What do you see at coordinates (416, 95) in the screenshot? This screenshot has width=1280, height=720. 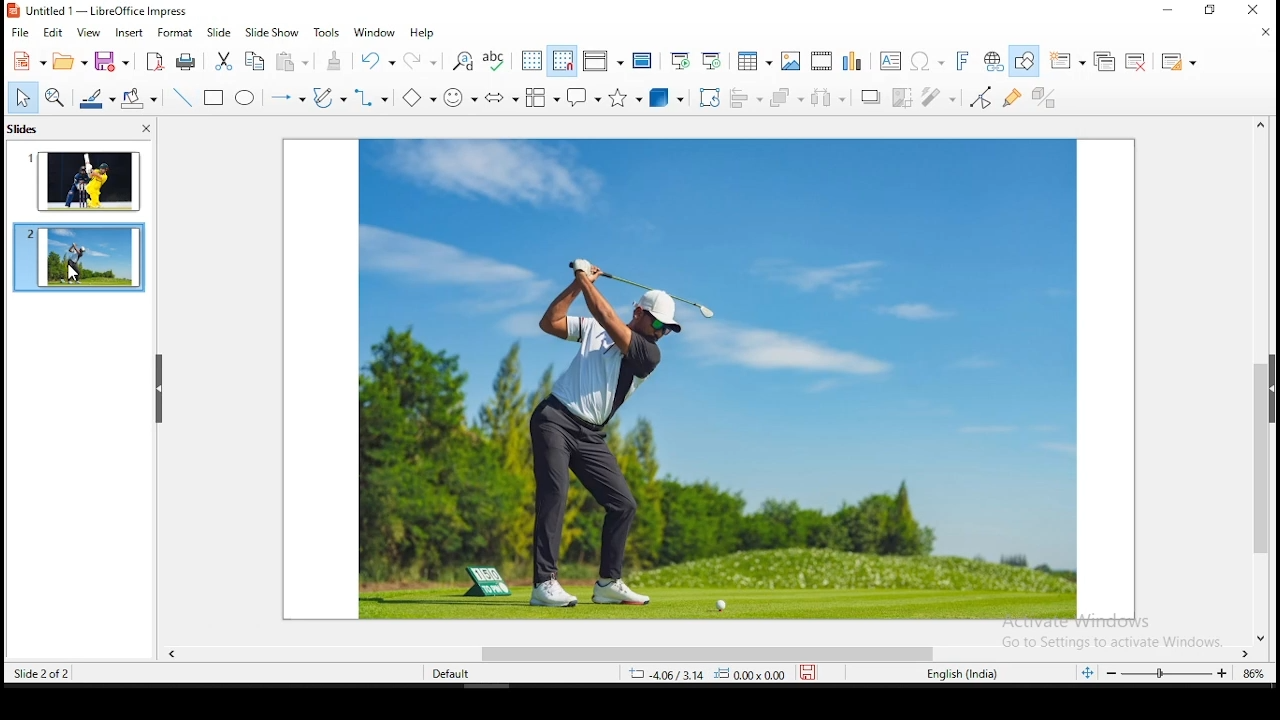 I see `basic shapes` at bounding box center [416, 95].